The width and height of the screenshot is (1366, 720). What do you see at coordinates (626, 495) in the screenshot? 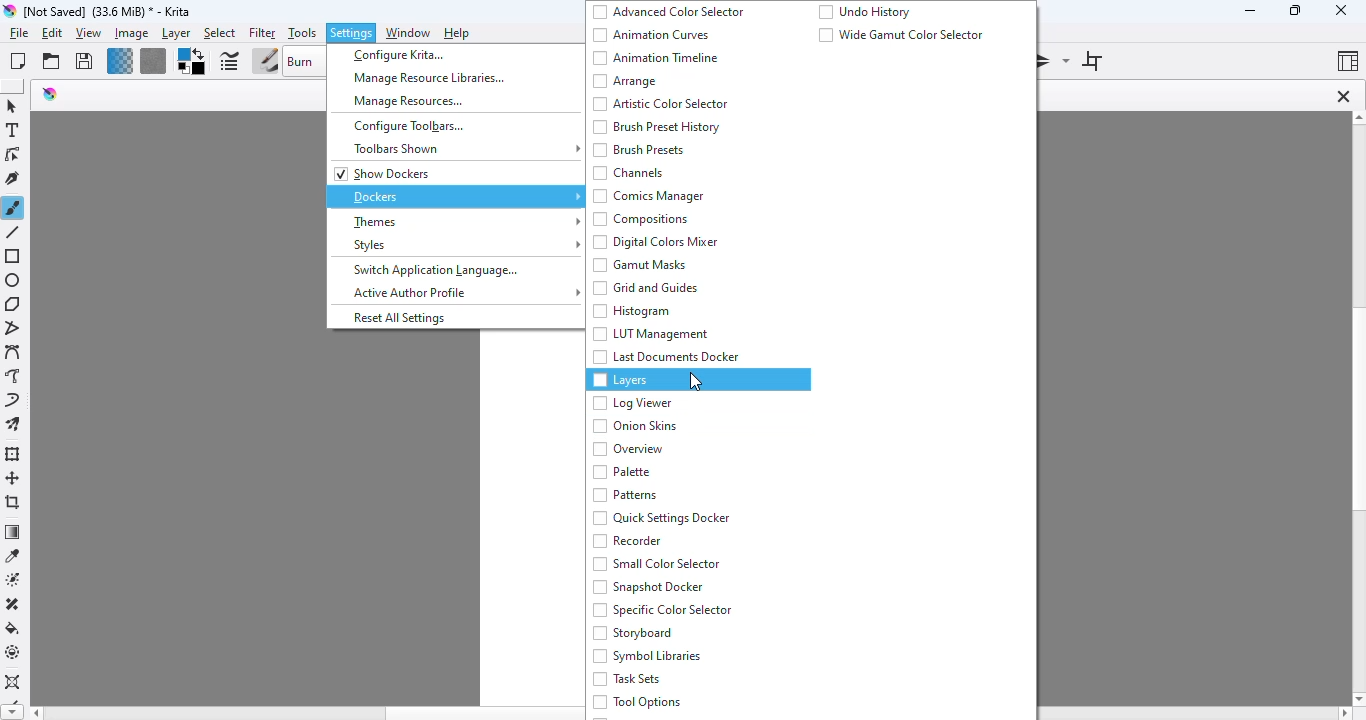
I see `patterns` at bounding box center [626, 495].